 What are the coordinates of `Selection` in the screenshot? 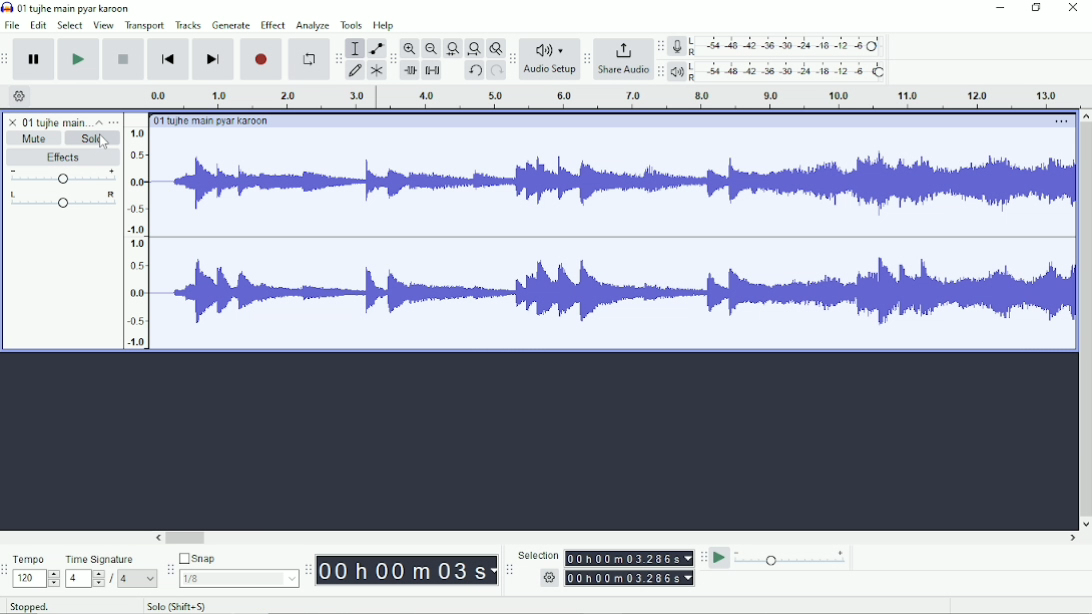 It's located at (629, 555).